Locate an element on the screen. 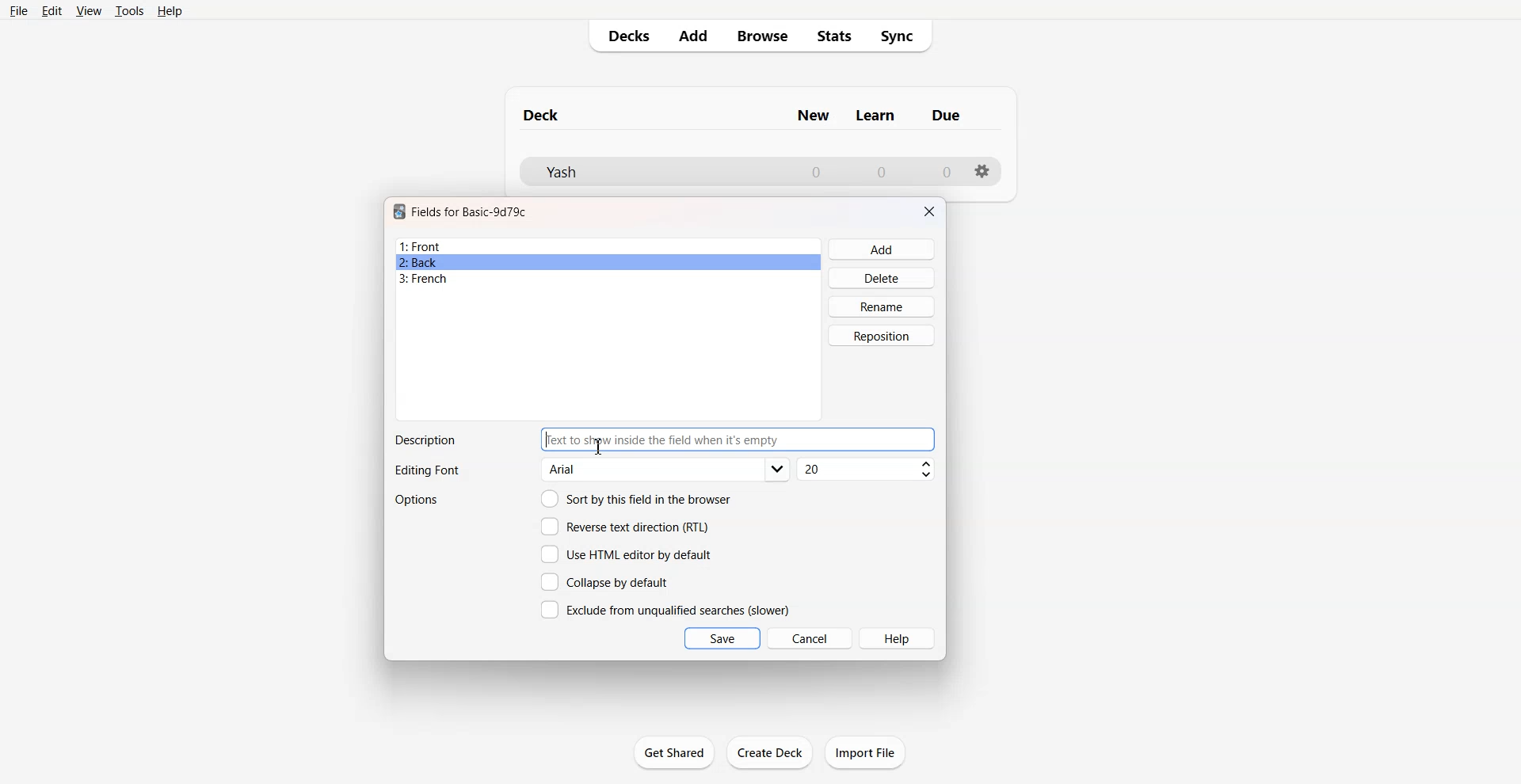  Sort by this field in the browser is located at coordinates (636, 498).